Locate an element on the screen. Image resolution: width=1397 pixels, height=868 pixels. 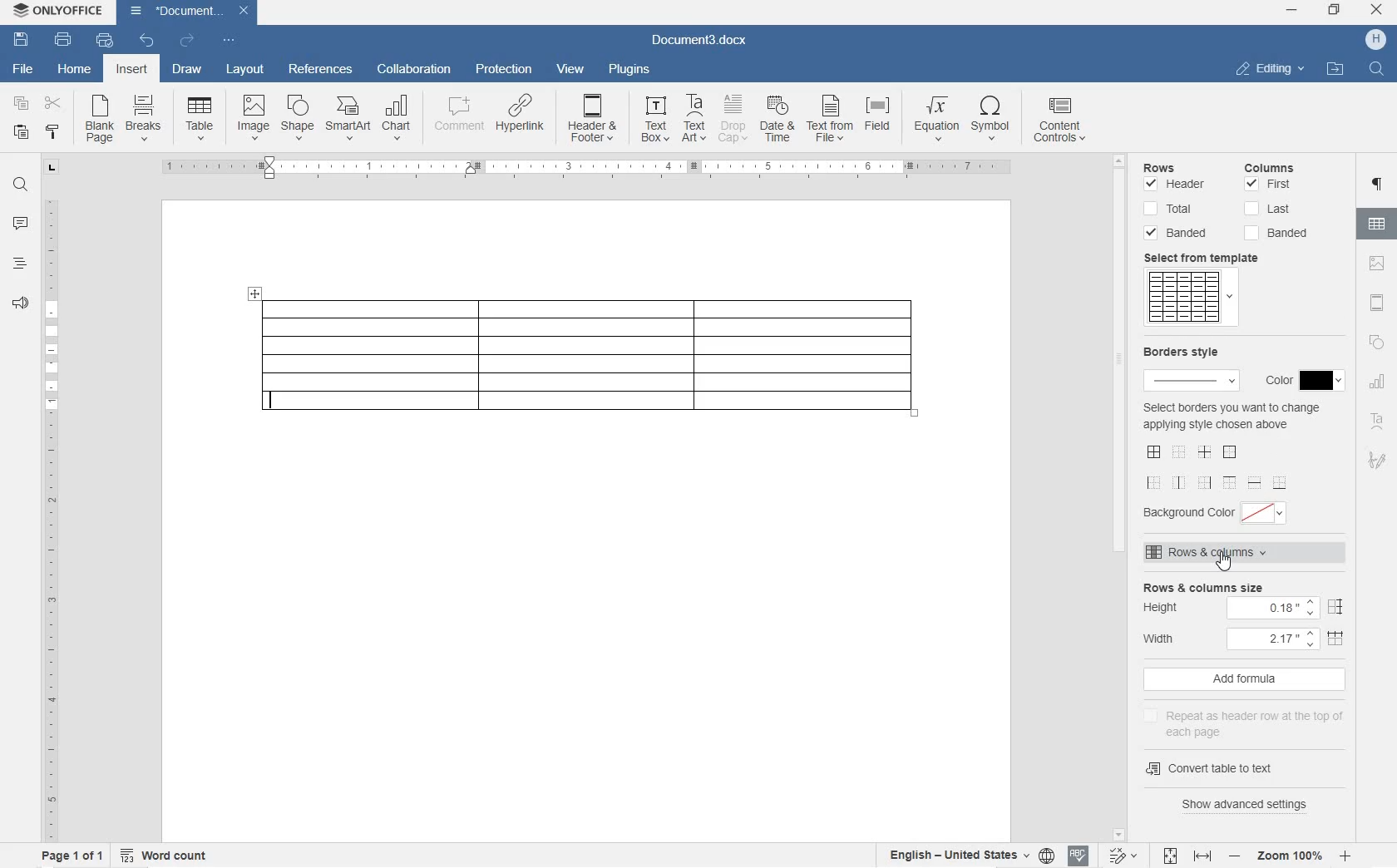
Banded is located at coordinates (1276, 234).